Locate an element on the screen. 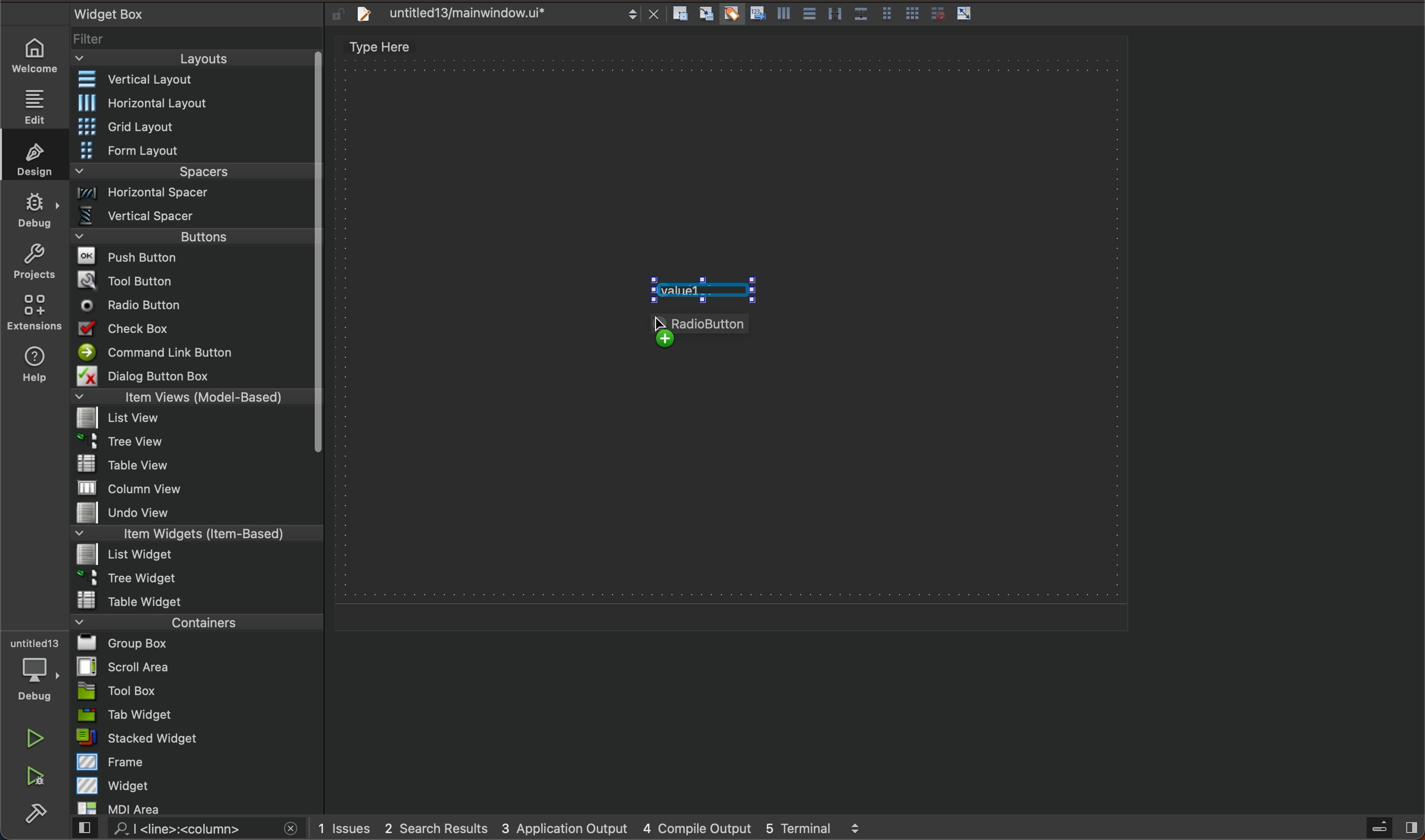 This screenshot has width=1425, height=840. run and debug is located at coordinates (37, 778).